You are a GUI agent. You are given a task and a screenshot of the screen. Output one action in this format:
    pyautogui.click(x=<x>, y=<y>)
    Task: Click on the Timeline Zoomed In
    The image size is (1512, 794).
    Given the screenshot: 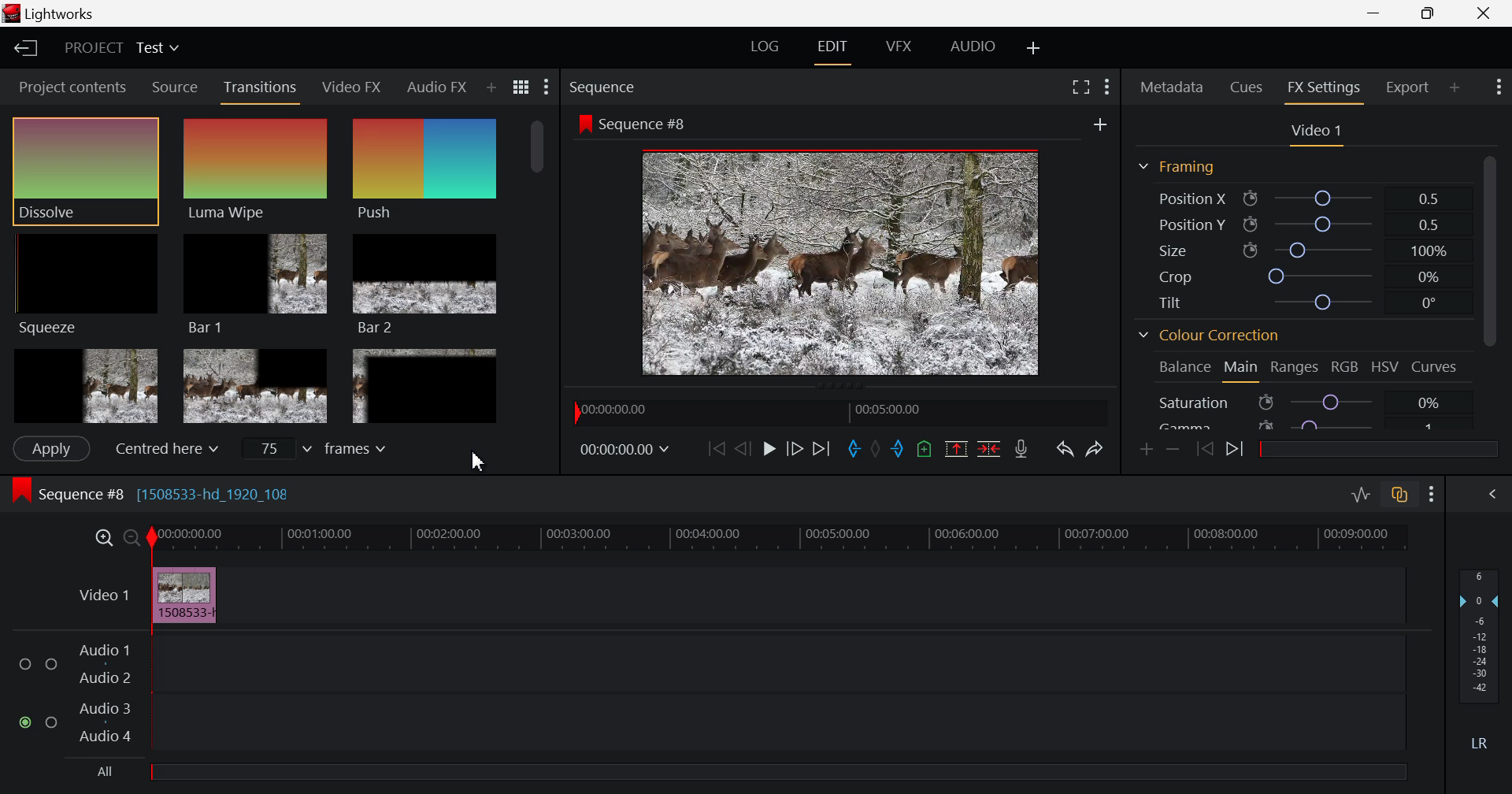 What is the action you would take?
    pyautogui.click(x=103, y=540)
    